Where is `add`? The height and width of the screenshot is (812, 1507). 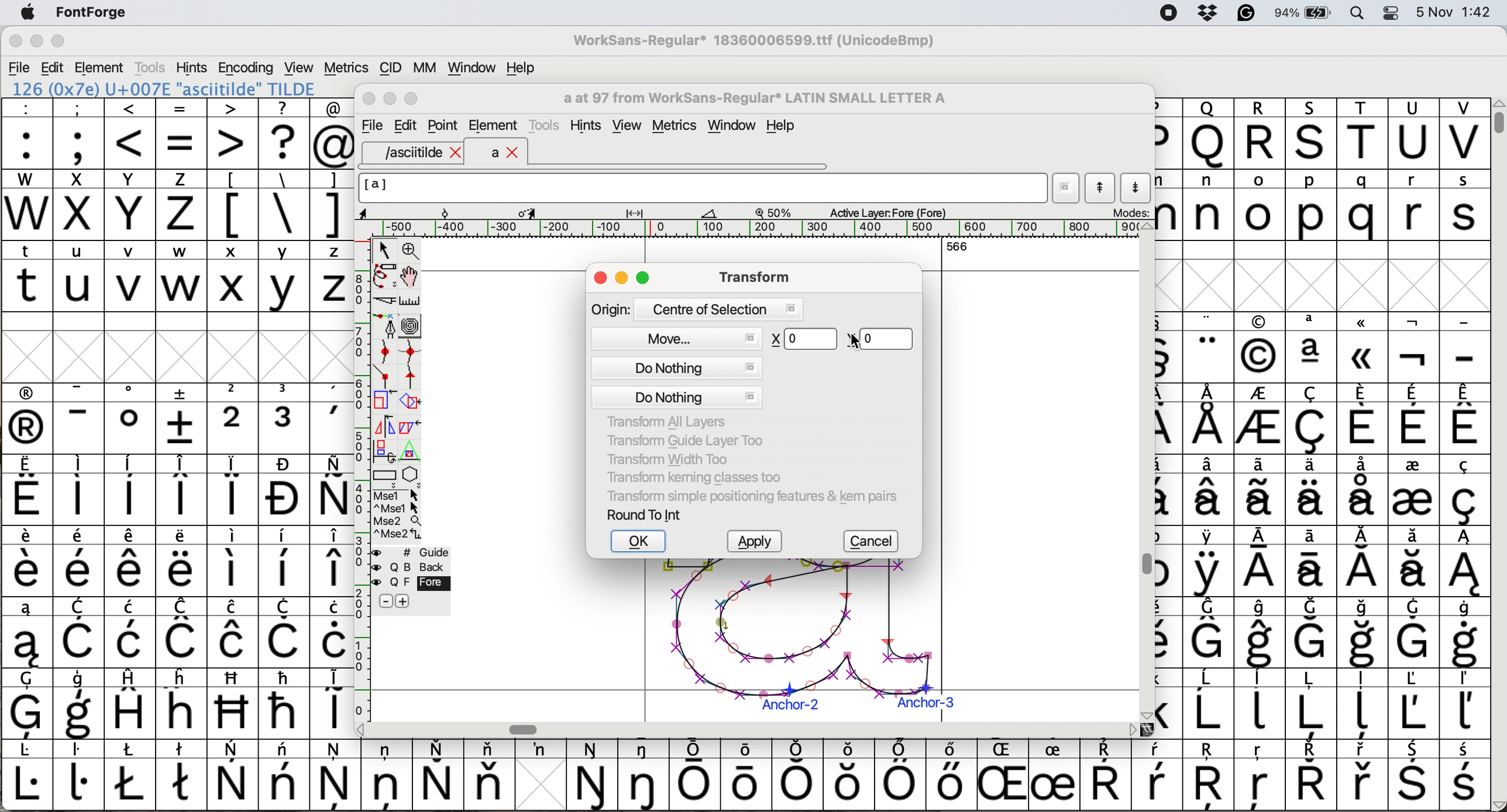
add is located at coordinates (404, 601).